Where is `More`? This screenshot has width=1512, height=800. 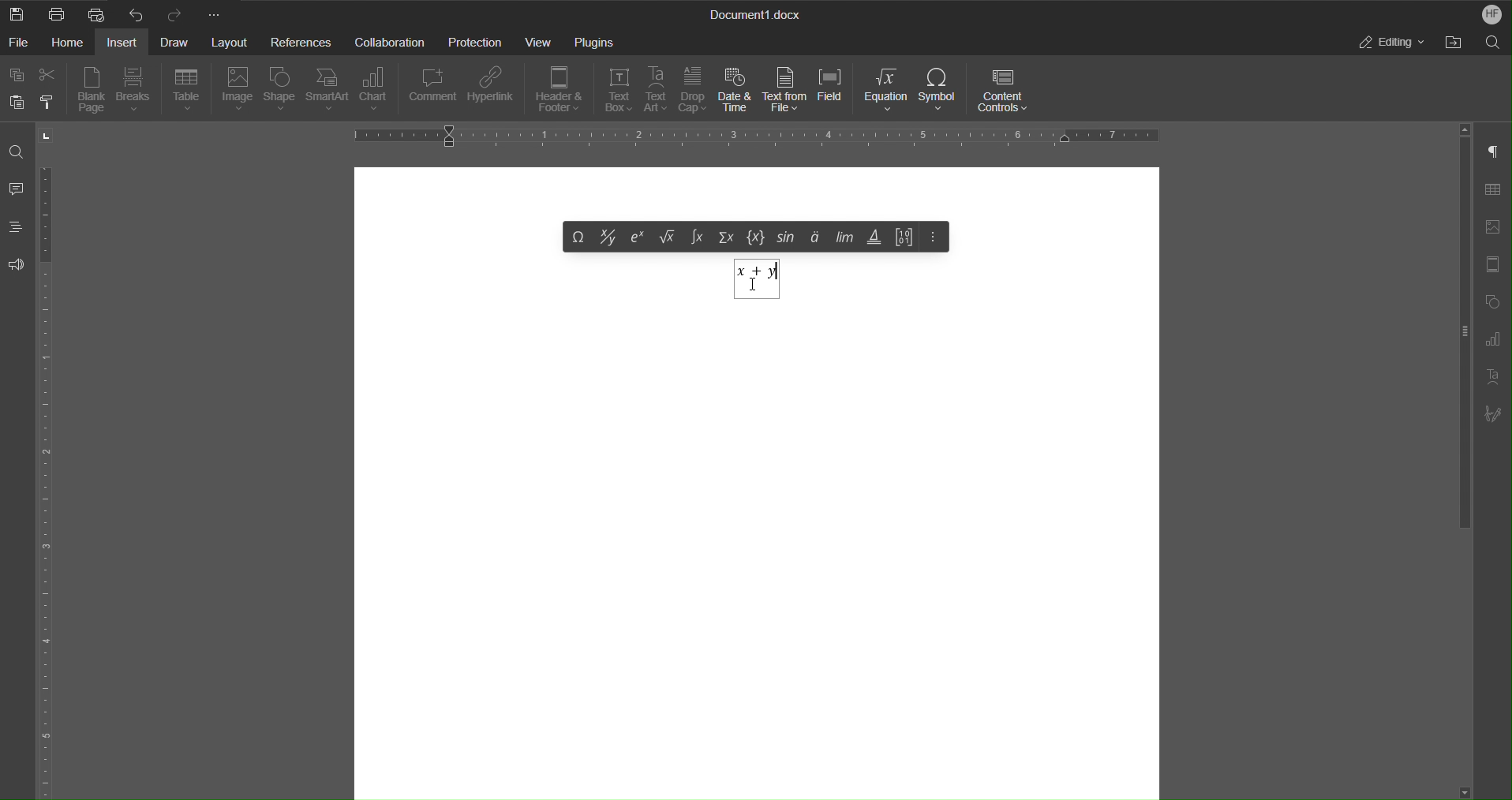 More is located at coordinates (934, 235).